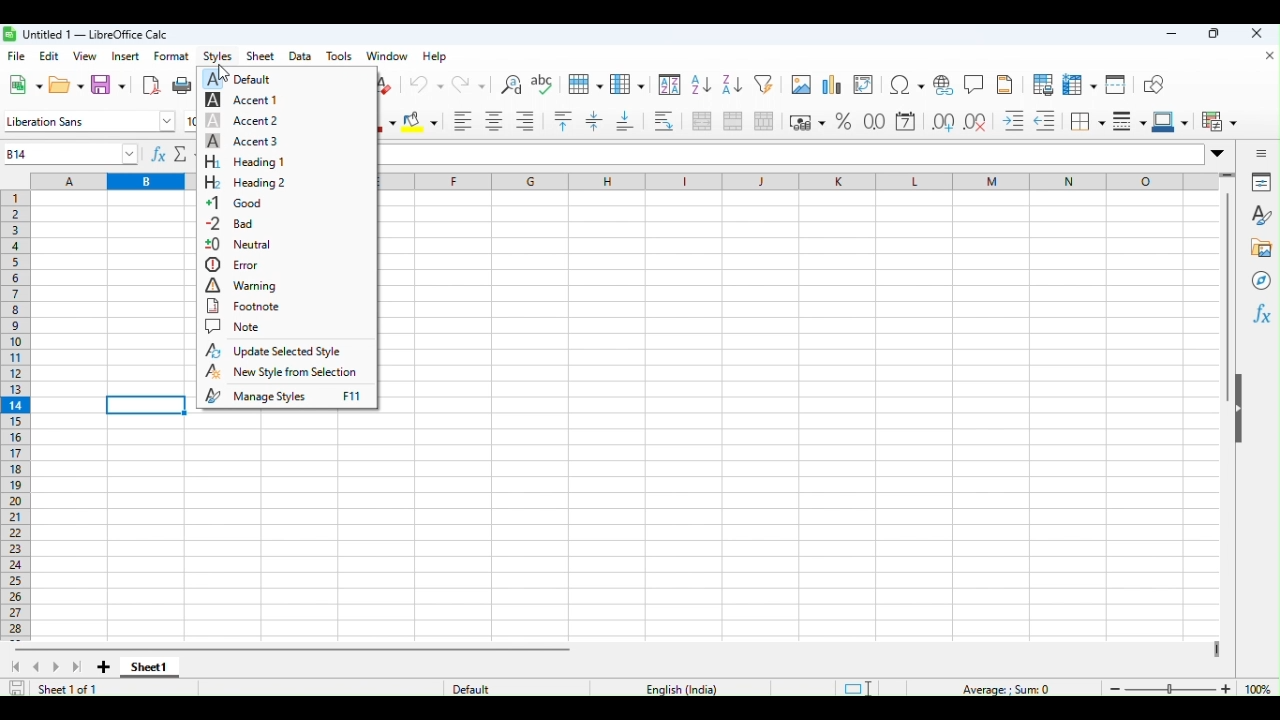 This screenshot has height=720, width=1280. I want to click on Data, so click(302, 54).